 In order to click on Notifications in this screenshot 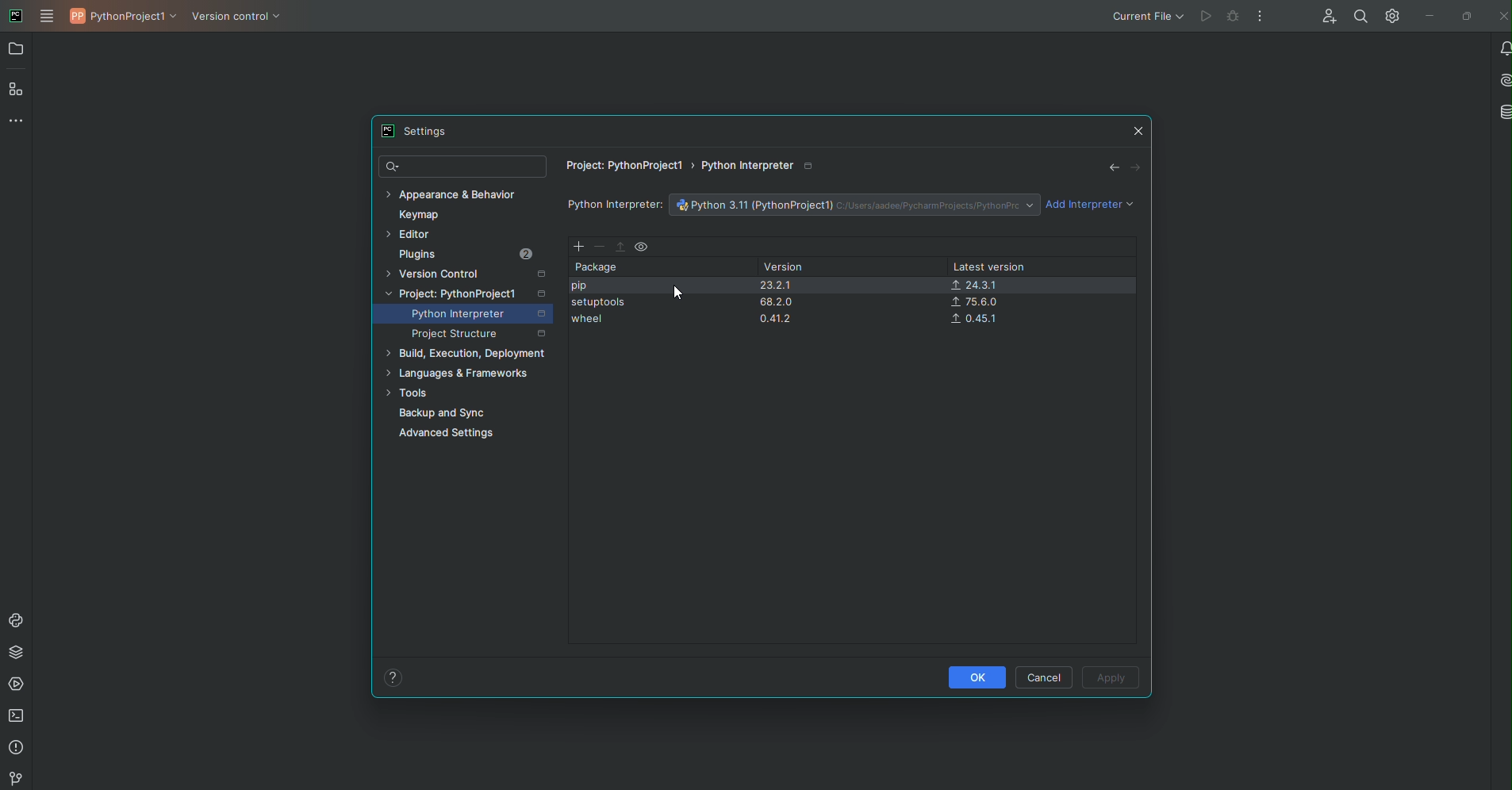, I will do `click(1502, 48)`.